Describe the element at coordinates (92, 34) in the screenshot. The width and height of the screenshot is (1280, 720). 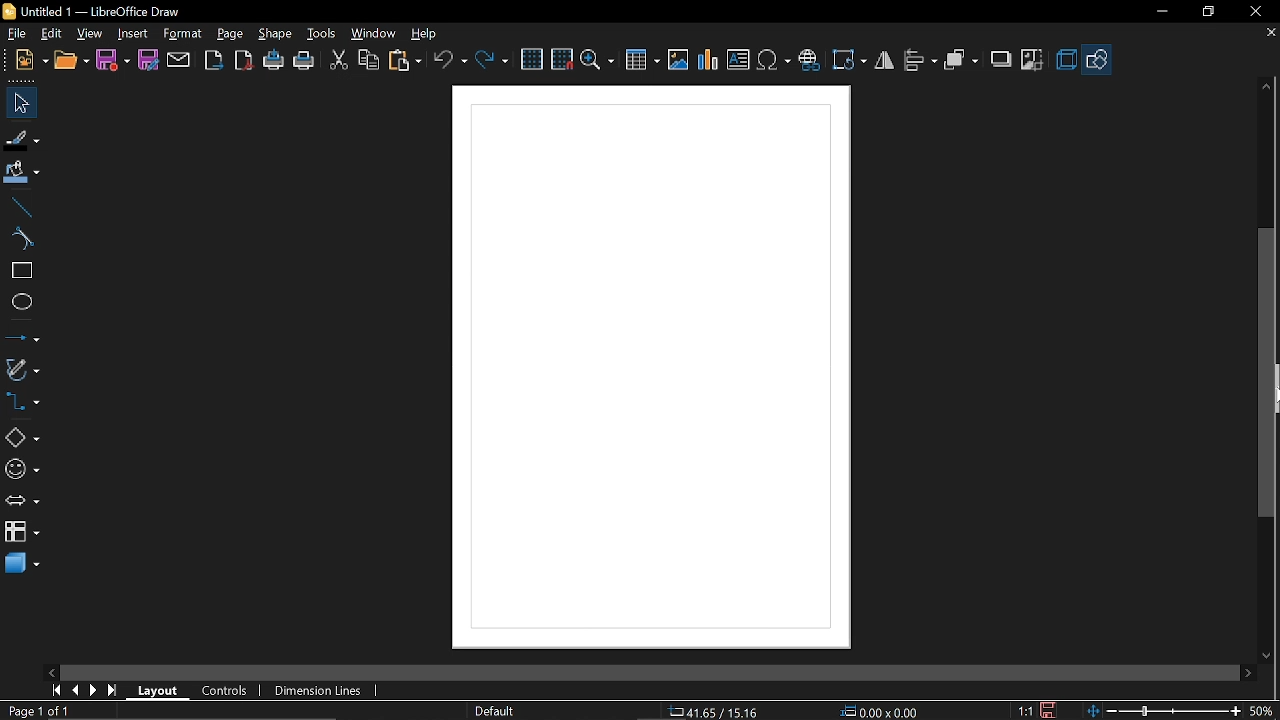
I see `view` at that location.